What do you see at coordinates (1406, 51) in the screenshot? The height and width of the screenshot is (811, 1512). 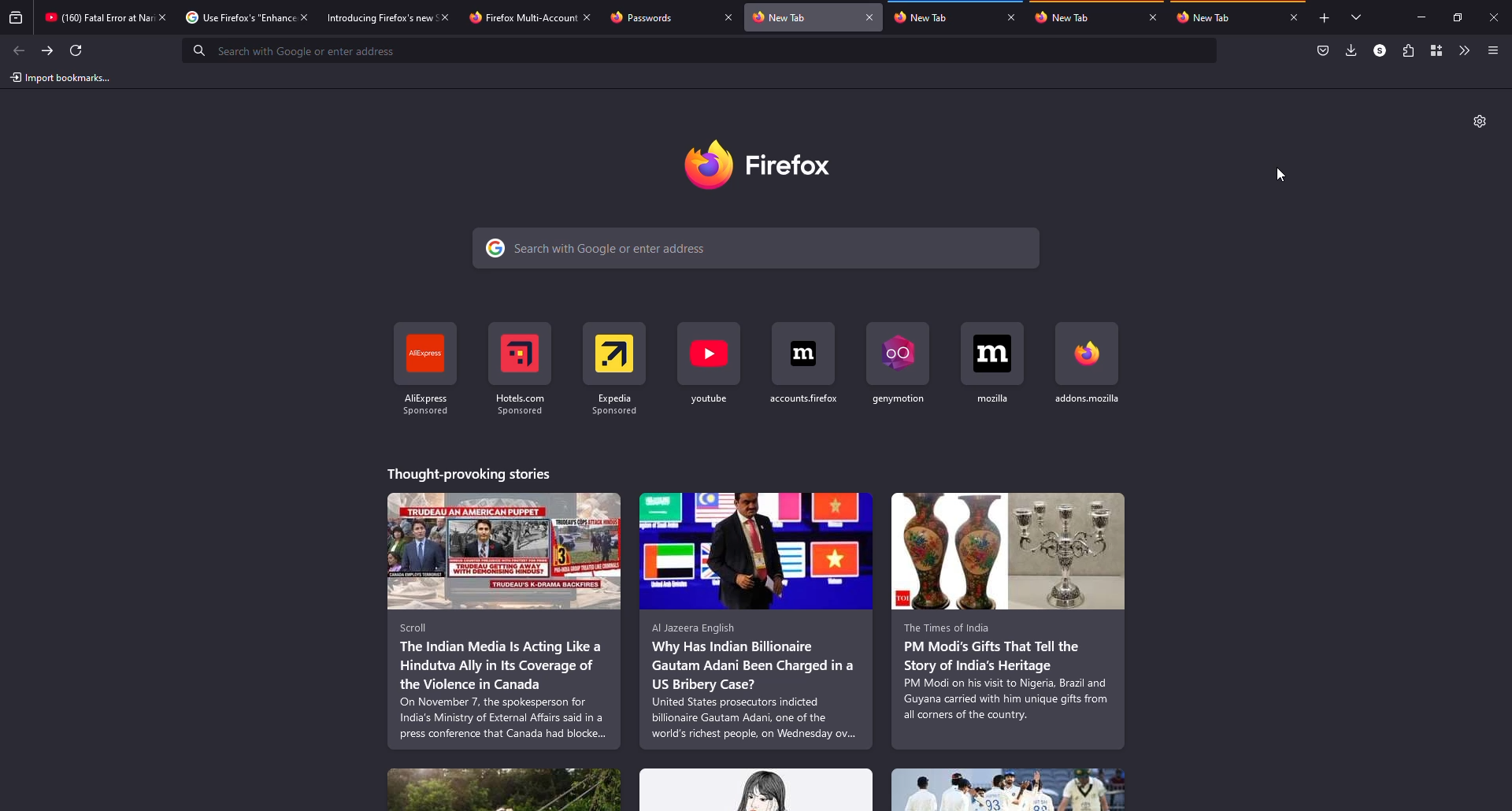 I see `extensions` at bounding box center [1406, 51].